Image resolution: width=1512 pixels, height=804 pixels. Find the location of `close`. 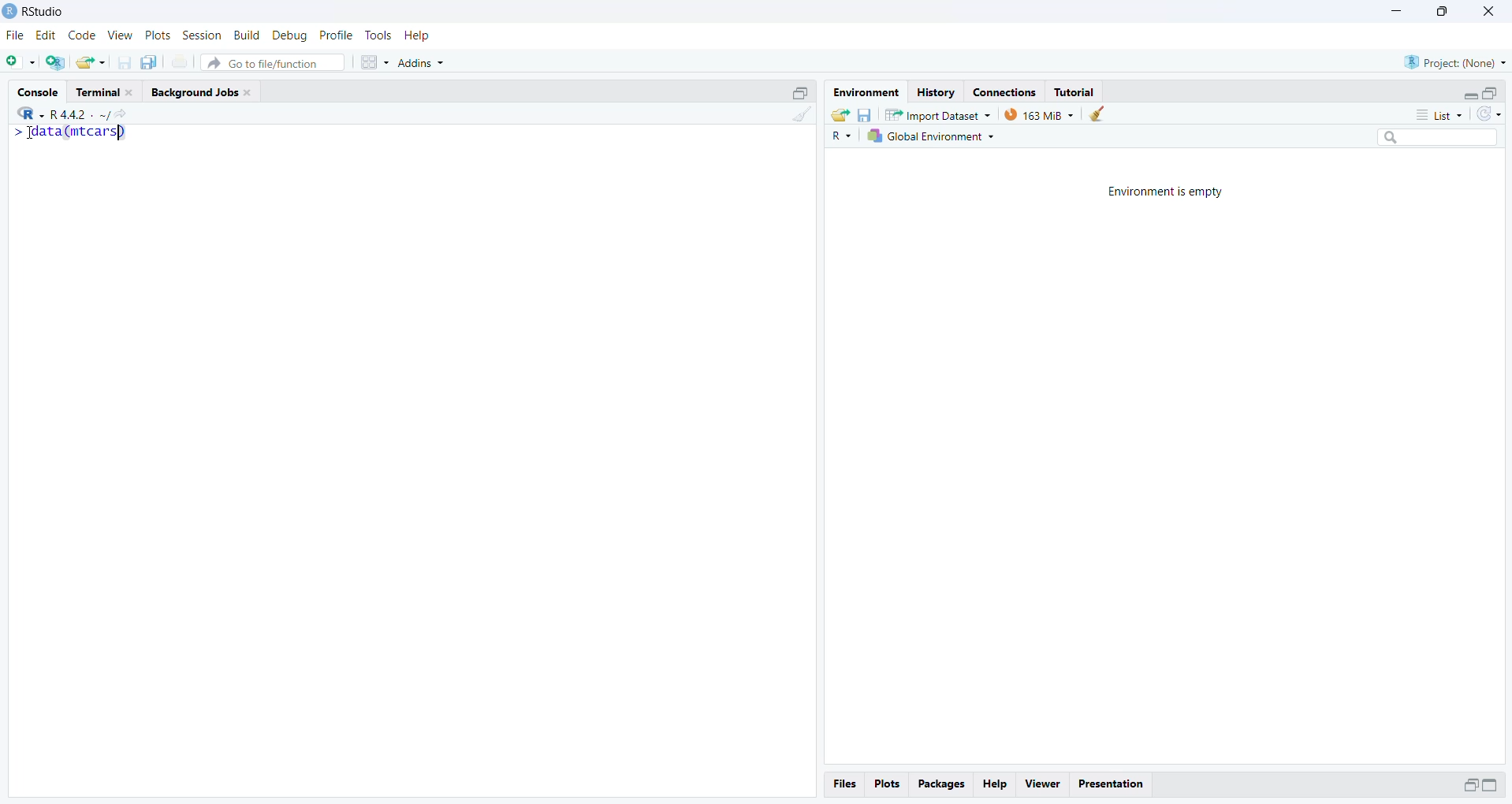

close is located at coordinates (131, 92).